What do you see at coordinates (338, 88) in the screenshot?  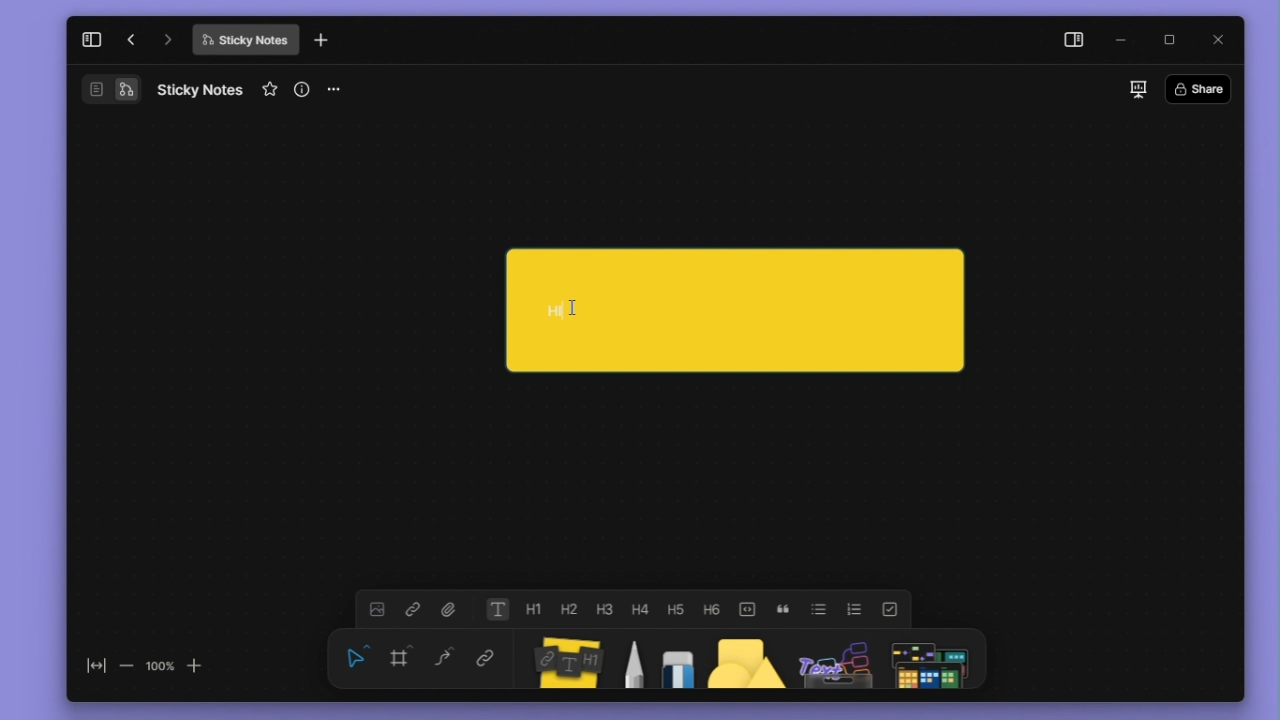 I see `more` at bounding box center [338, 88].